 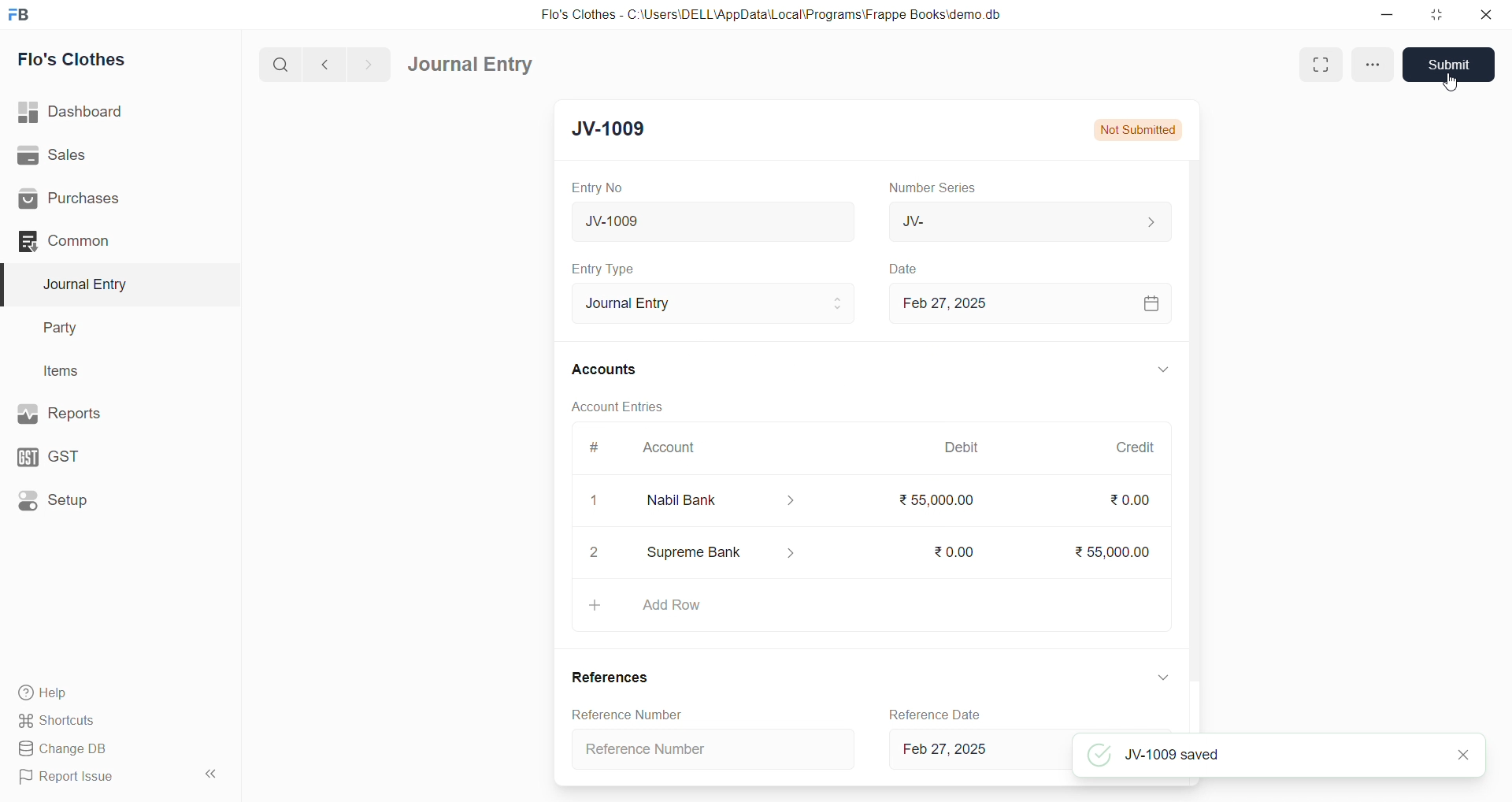 I want to click on JV-1009 saved, so click(x=1258, y=757).